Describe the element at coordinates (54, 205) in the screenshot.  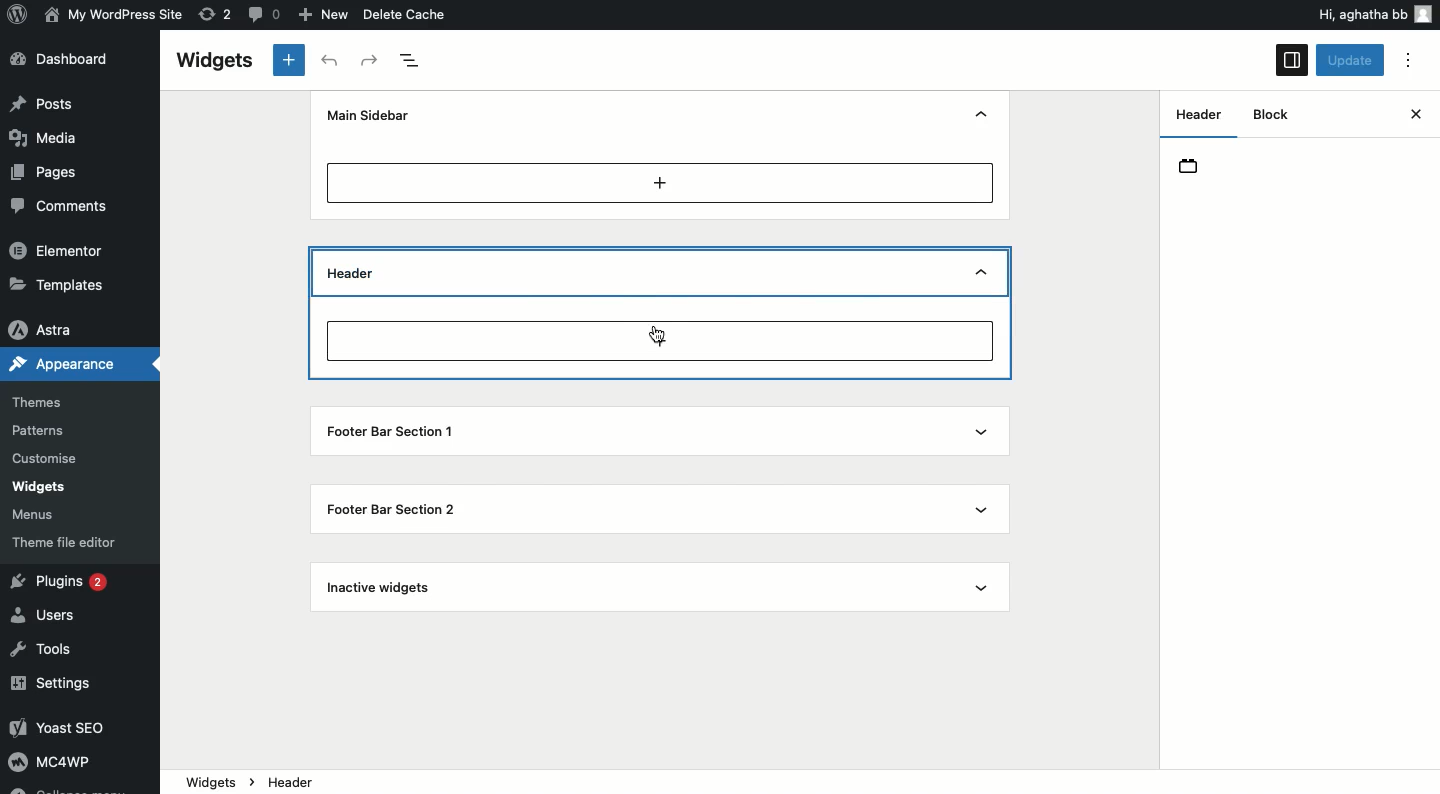
I see `Comments` at that location.